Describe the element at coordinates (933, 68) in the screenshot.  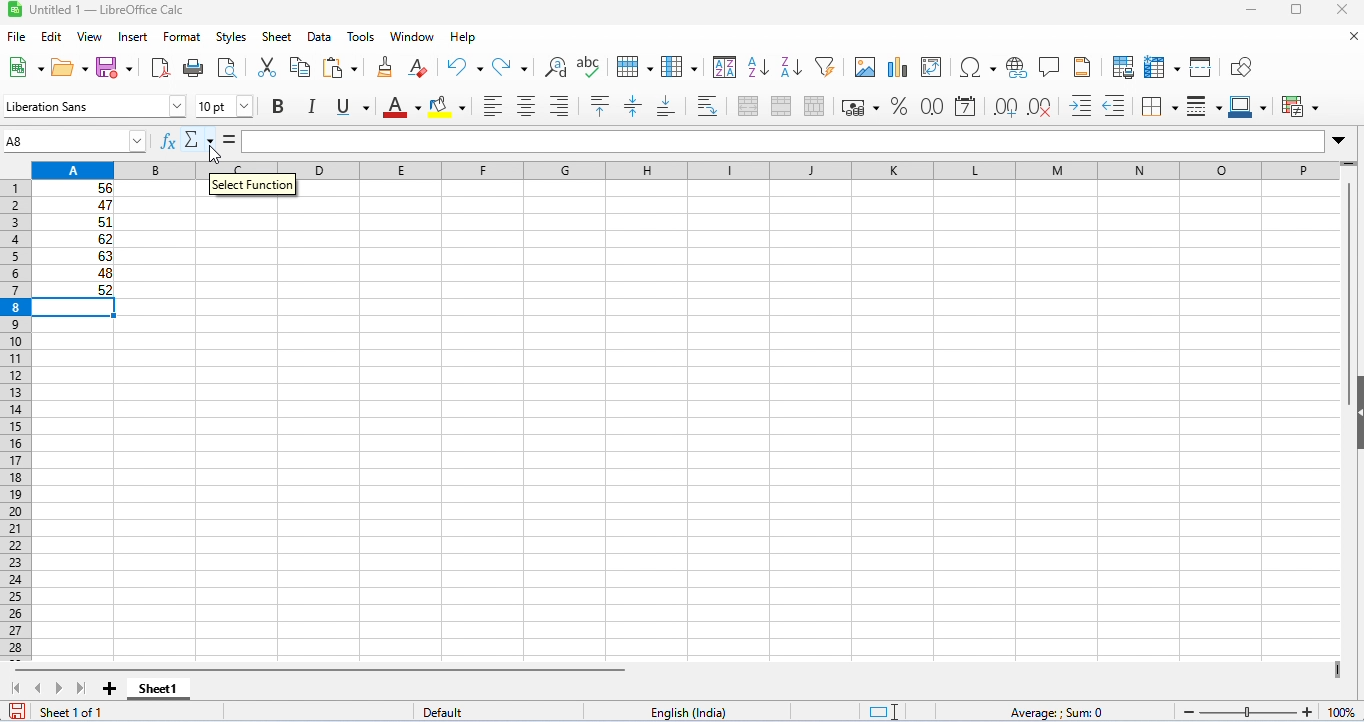
I see `insert or edit pivot table` at that location.